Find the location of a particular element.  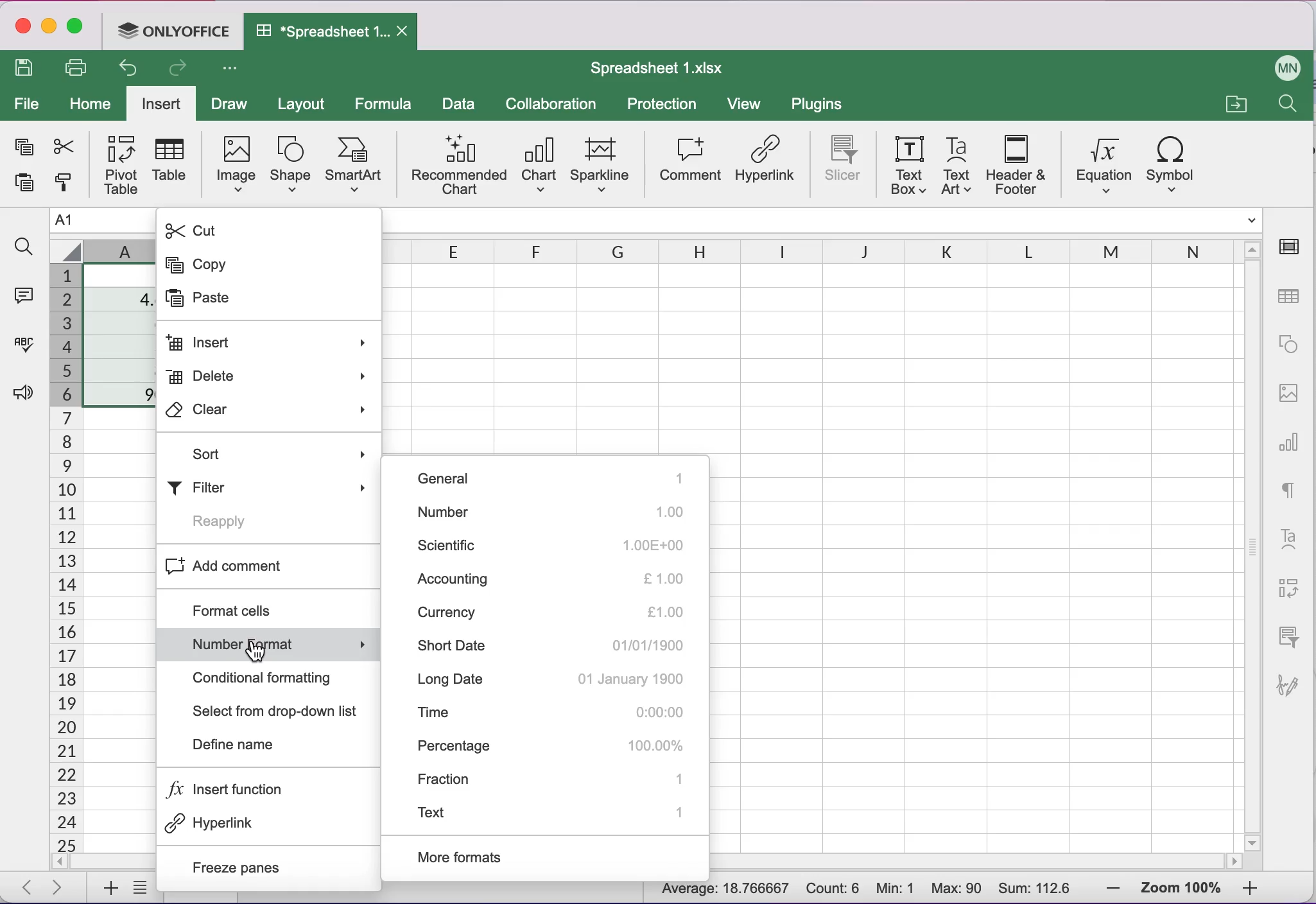

Close is located at coordinates (407, 31).